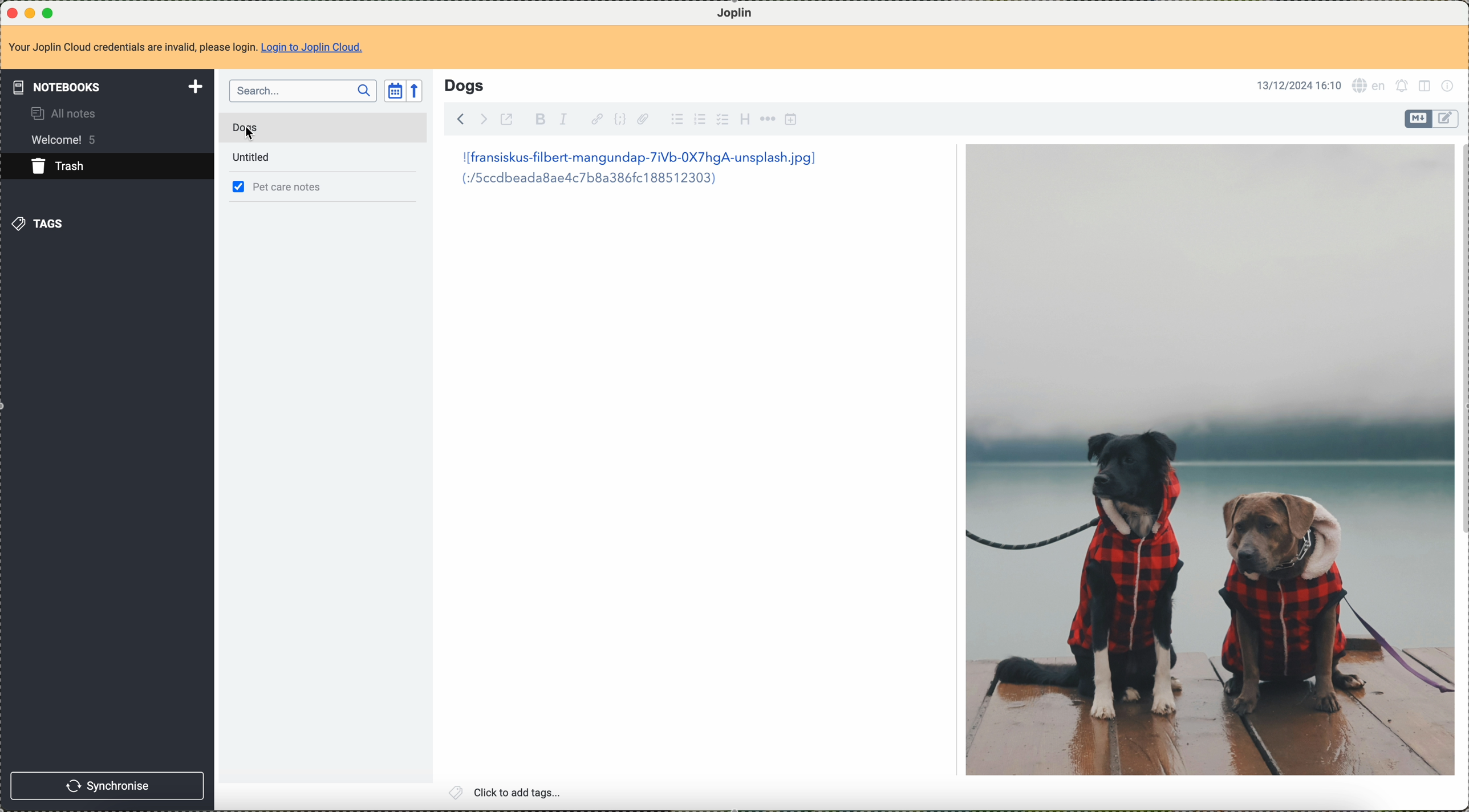 The width and height of the screenshot is (1469, 812). Describe the element at coordinates (420, 91) in the screenshot. I see `reverse sort order` at that location.